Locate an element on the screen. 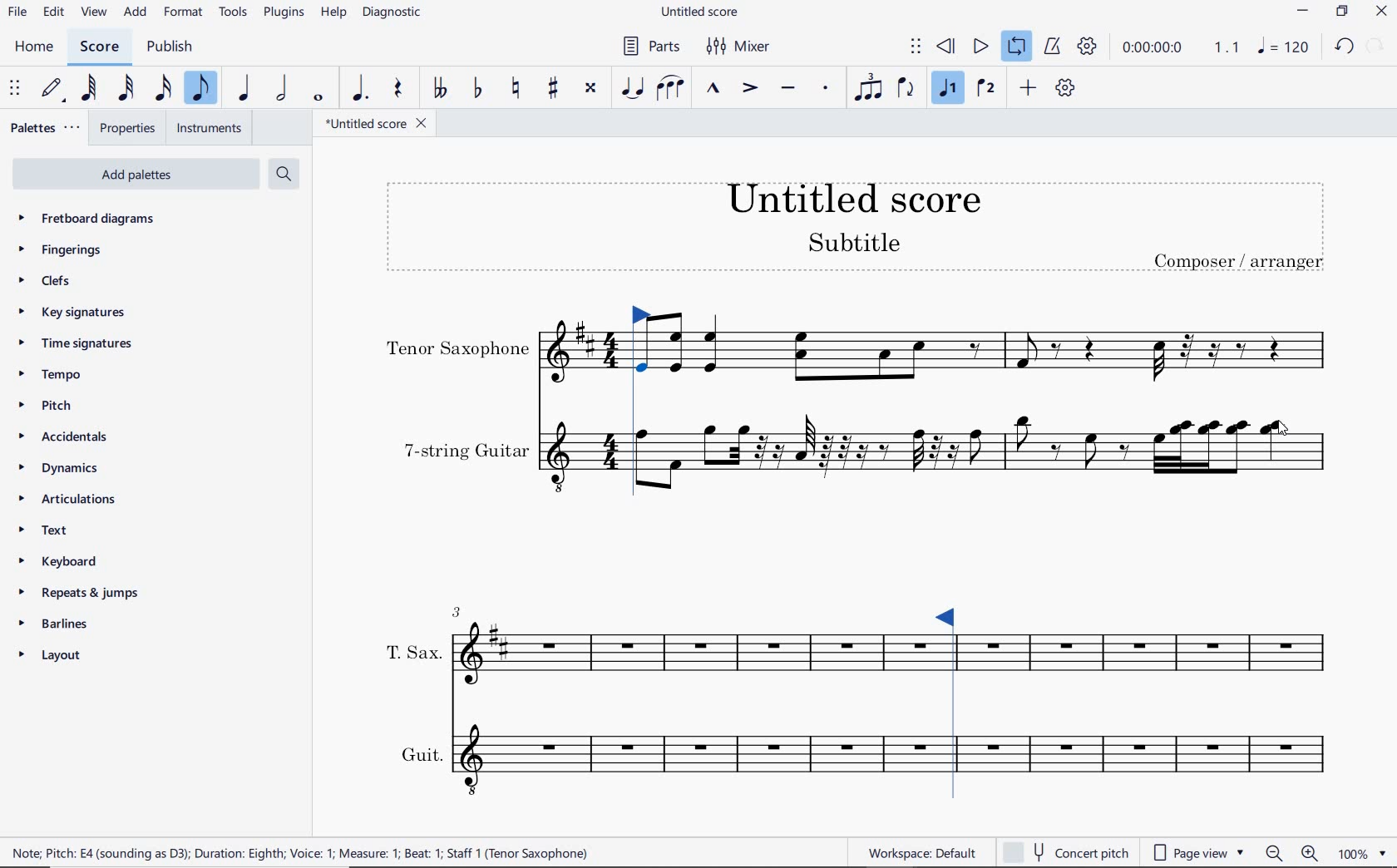  REST is located at coordinates (396, 89).